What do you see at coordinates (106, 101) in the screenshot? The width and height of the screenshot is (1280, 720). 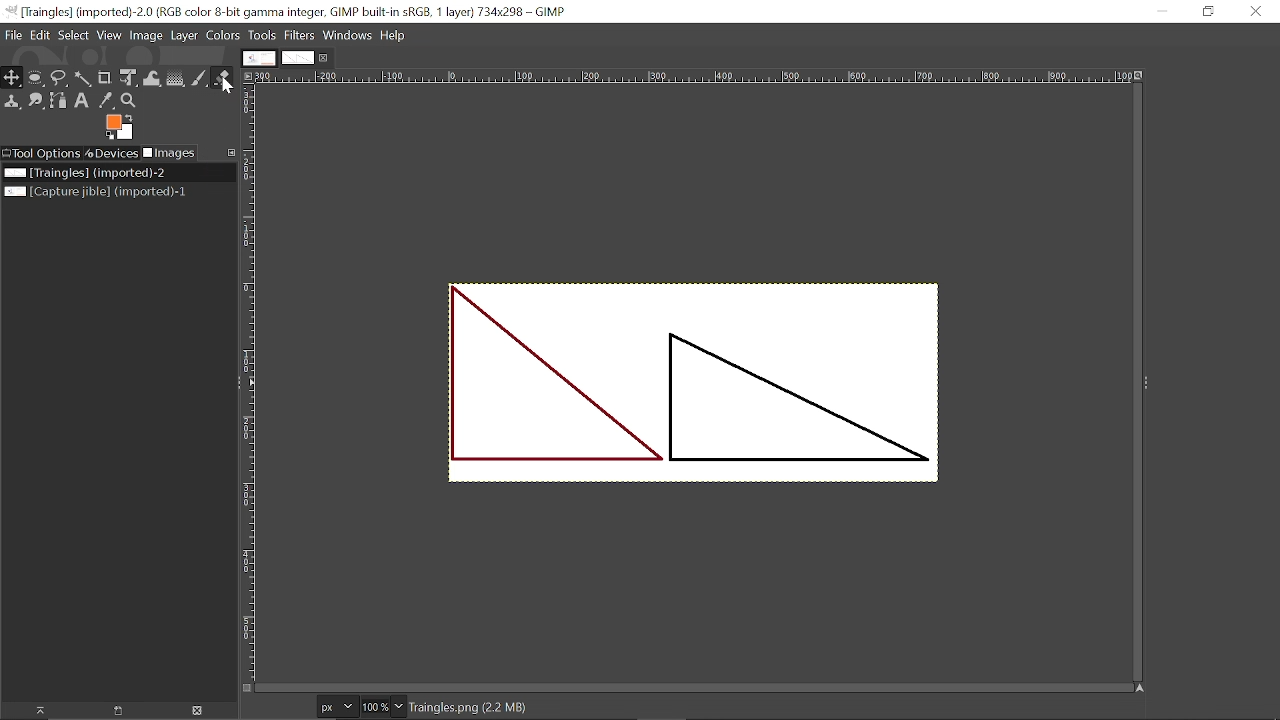 I see `Color picker tool` at bounding box center [106, 101].